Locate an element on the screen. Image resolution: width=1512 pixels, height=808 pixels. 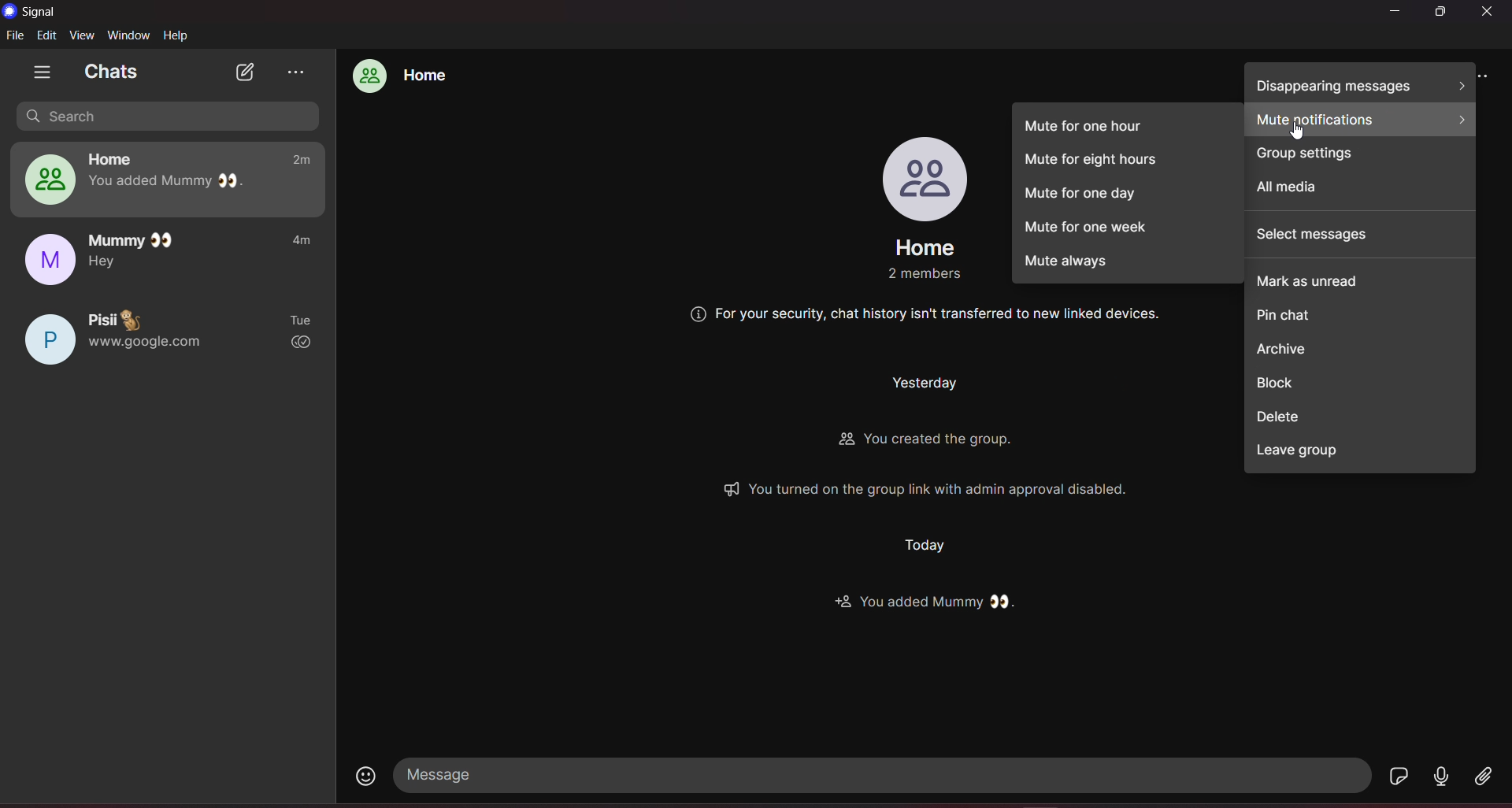
archieve is located at coordinates (1358, 352).